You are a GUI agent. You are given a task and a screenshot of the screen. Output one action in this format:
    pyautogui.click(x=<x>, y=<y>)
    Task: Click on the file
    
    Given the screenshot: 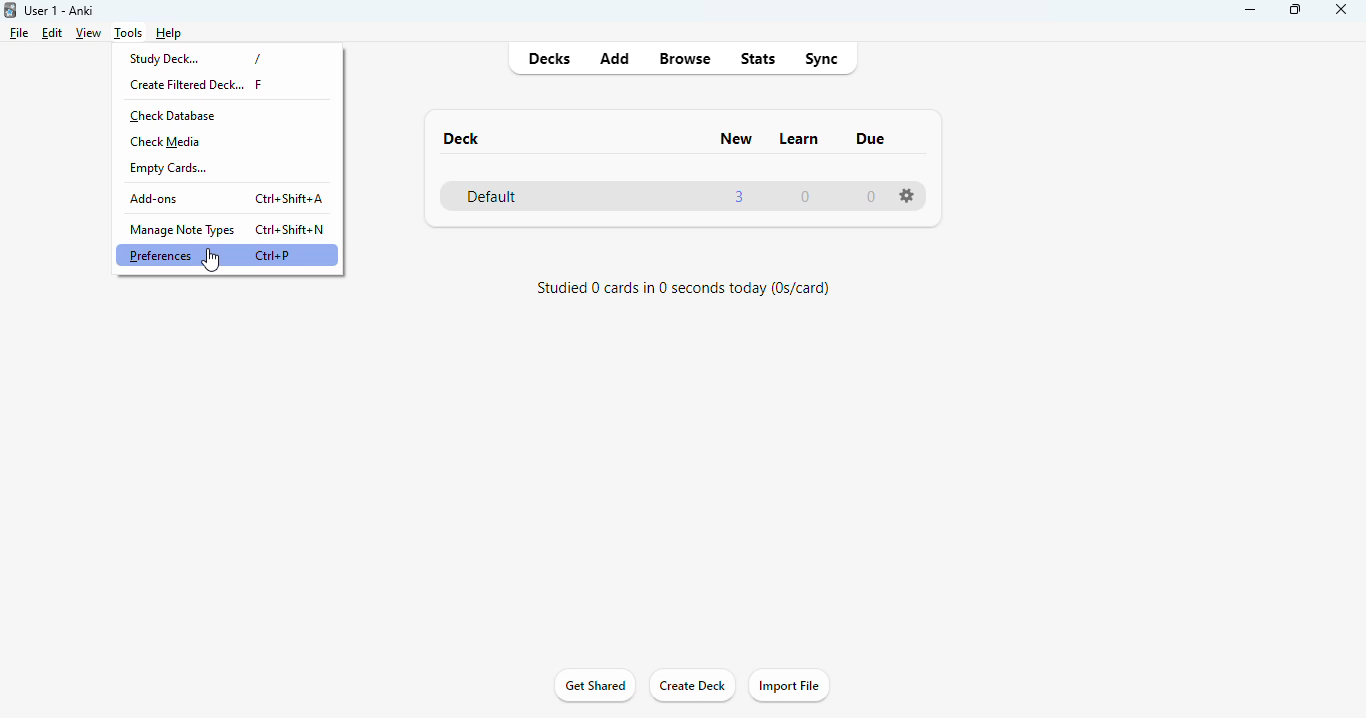 What is the action you would take?
    pyautogui.click(x=20, y=33)
    